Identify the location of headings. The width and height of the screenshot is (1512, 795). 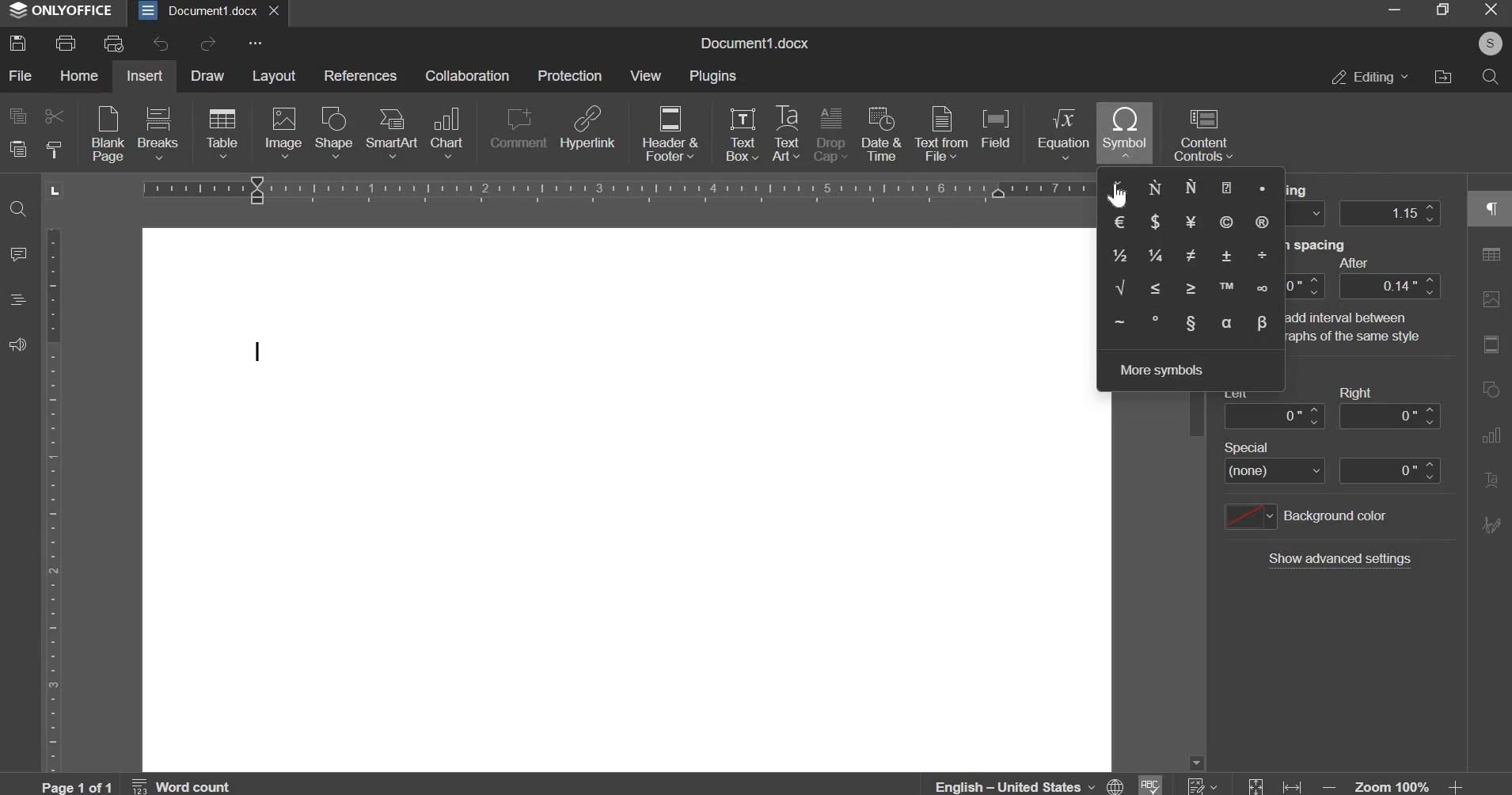
(16, 299).